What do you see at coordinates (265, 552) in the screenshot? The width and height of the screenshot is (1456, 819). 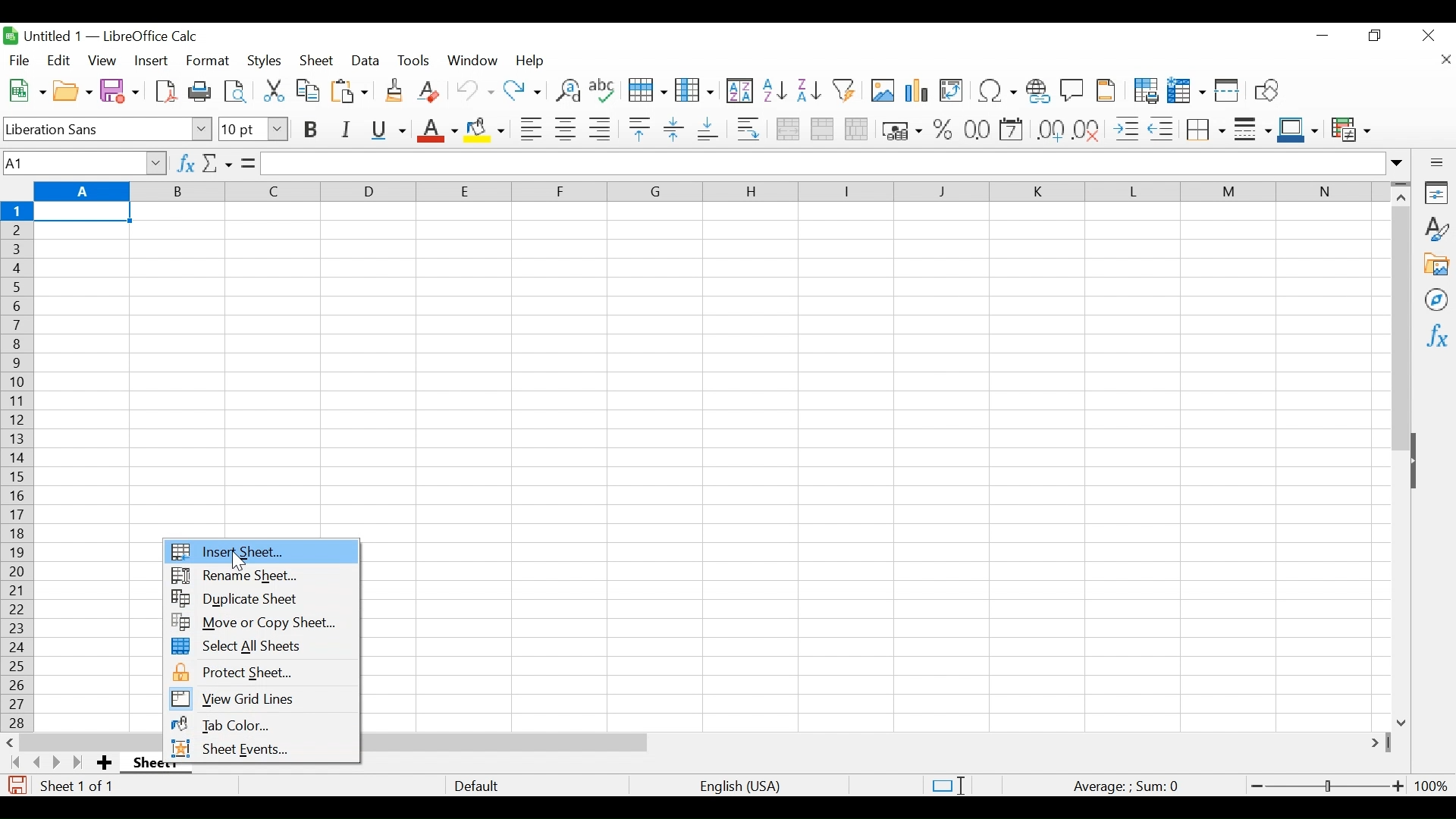 I see `Insert Sheet` at bounding box center [265, 552].